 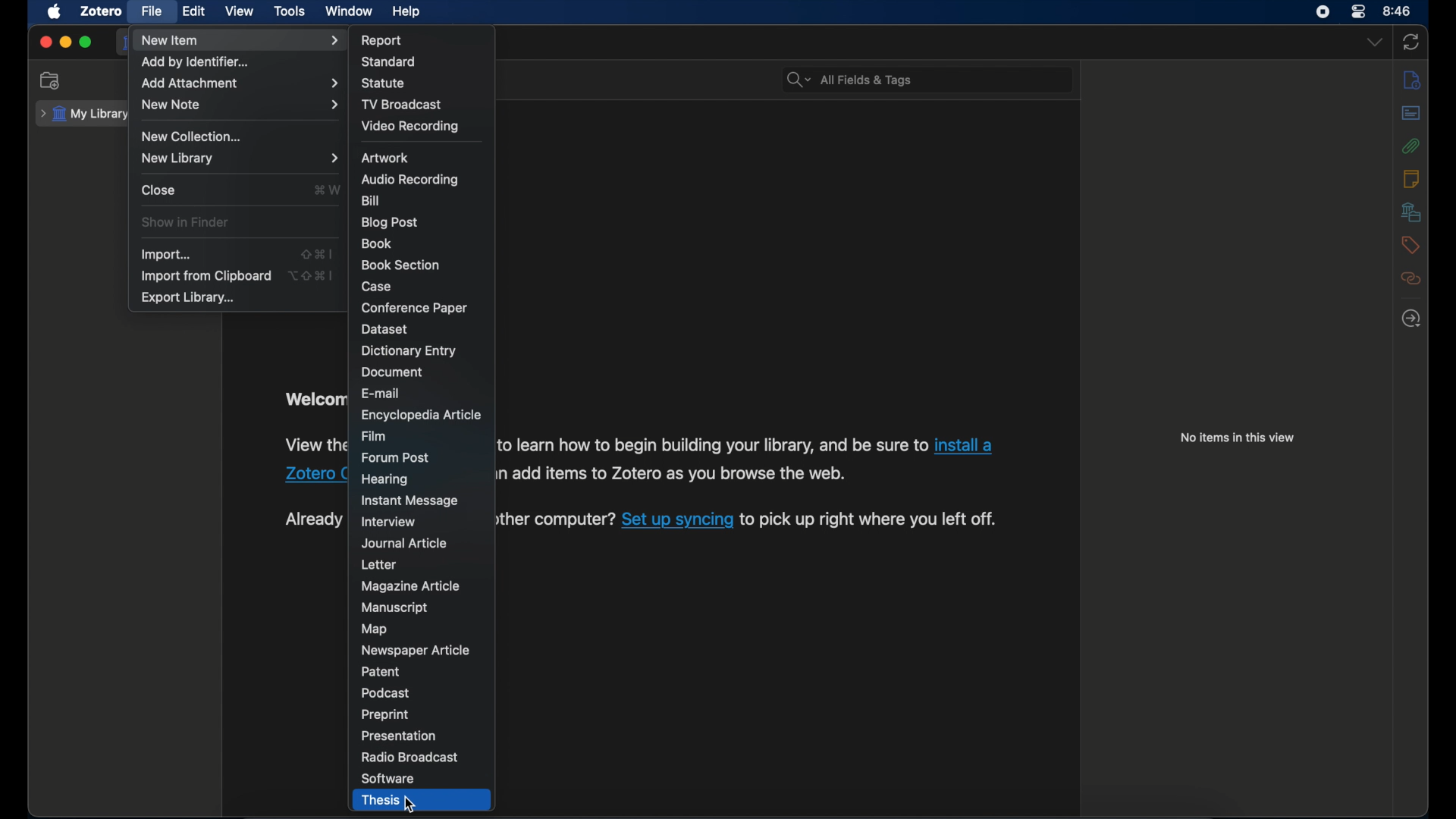 I want to click on welcome to zotero, so click(x=315, y=398).